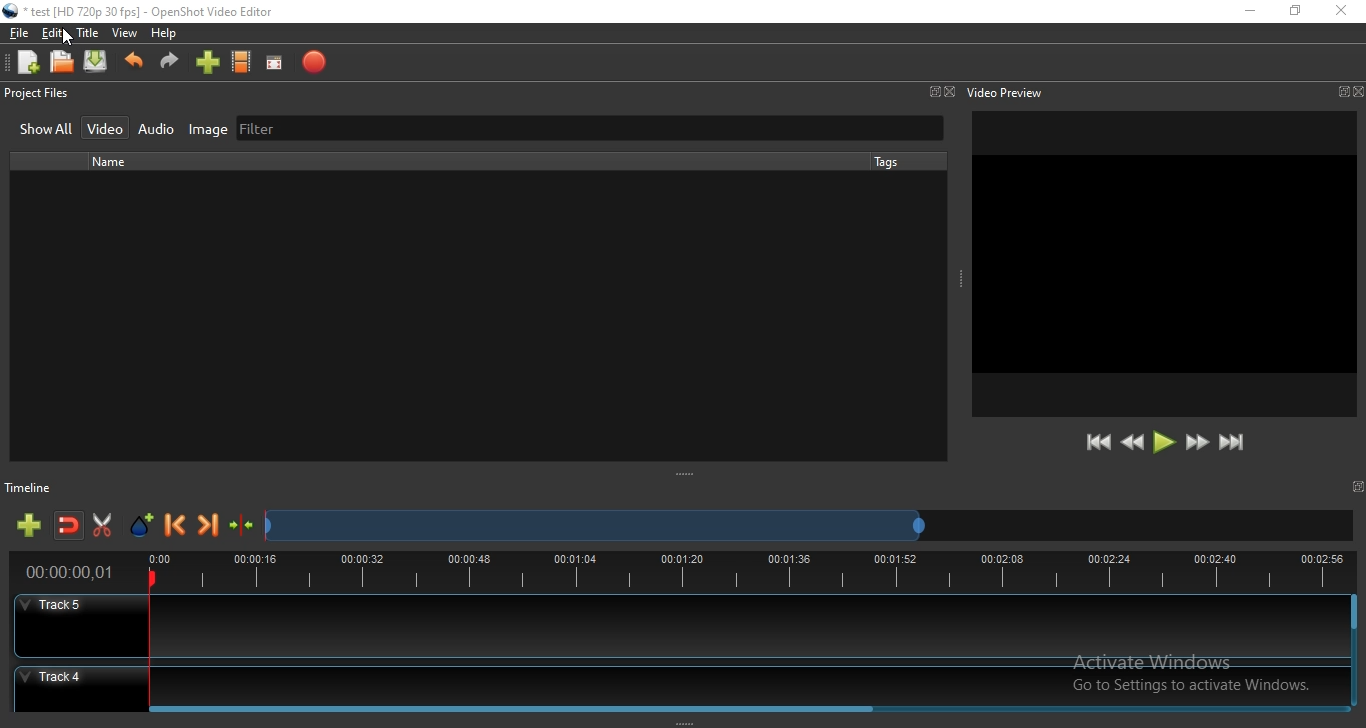 The image size is (1366, 728). What do you see at coordinates (687, 476) in the screenshot?
I see `adjust window` at bounding box center [687, 476].